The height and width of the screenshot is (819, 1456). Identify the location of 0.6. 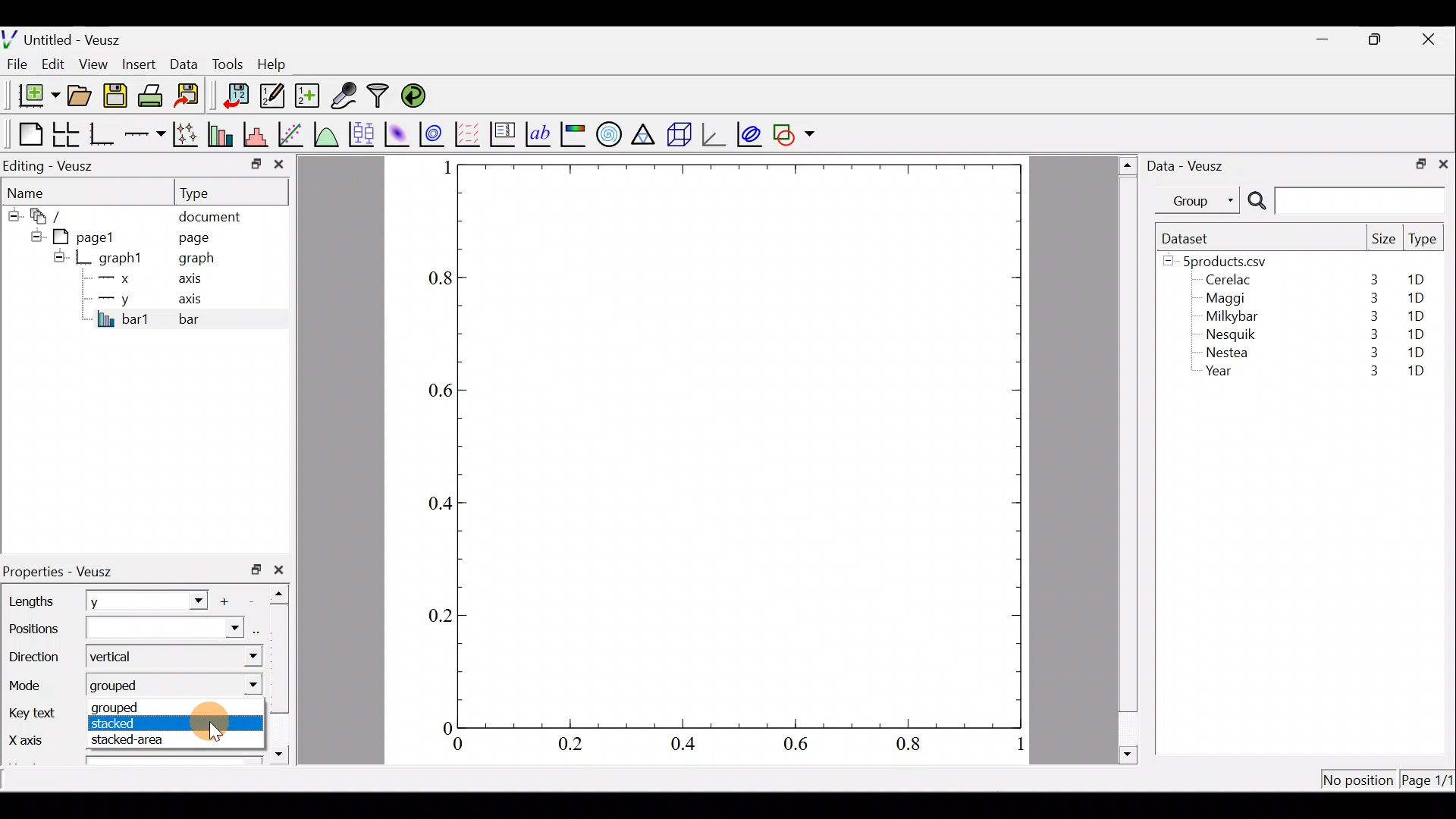
(802, 748).